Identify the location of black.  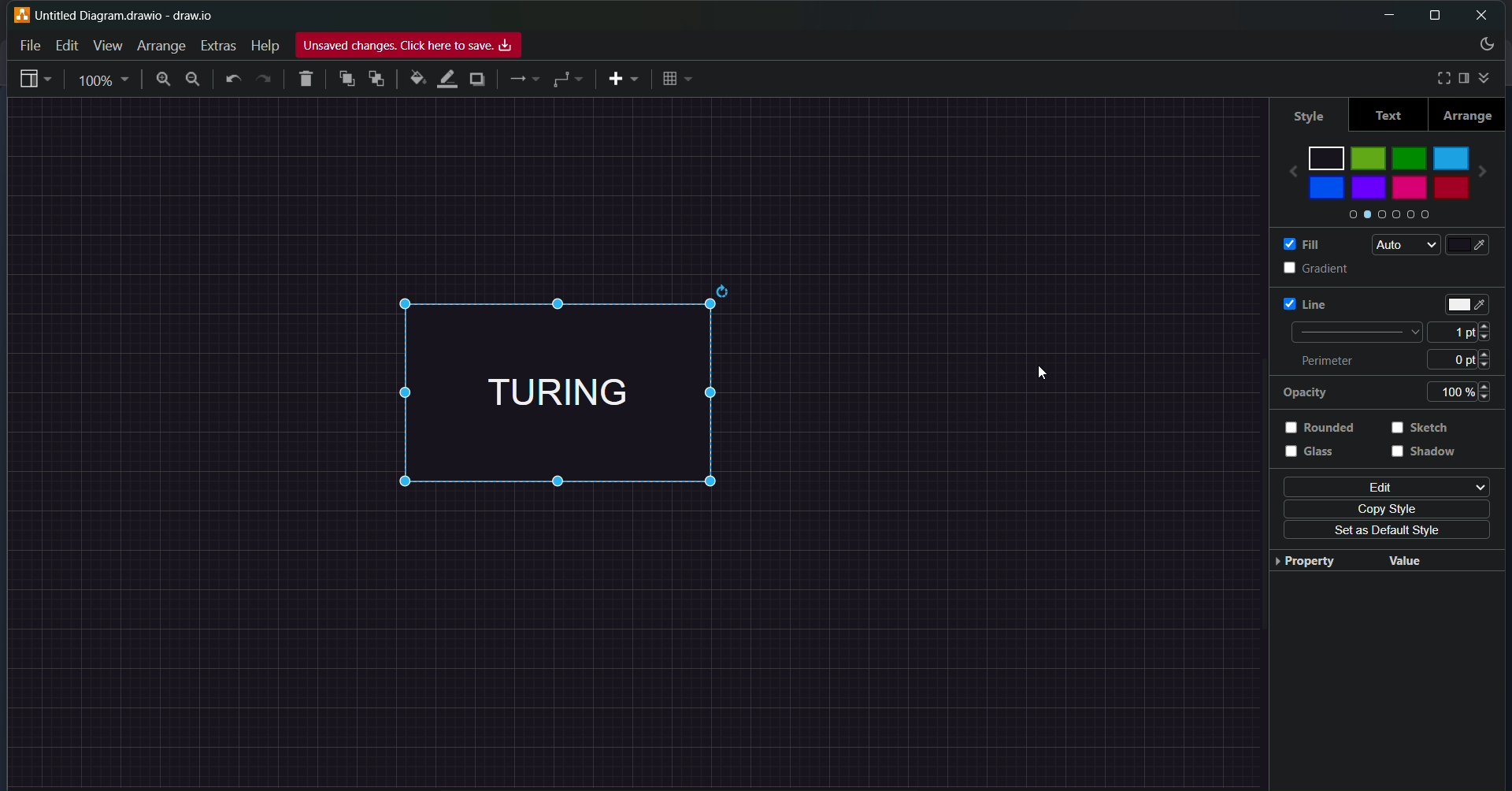
(1327, 155).